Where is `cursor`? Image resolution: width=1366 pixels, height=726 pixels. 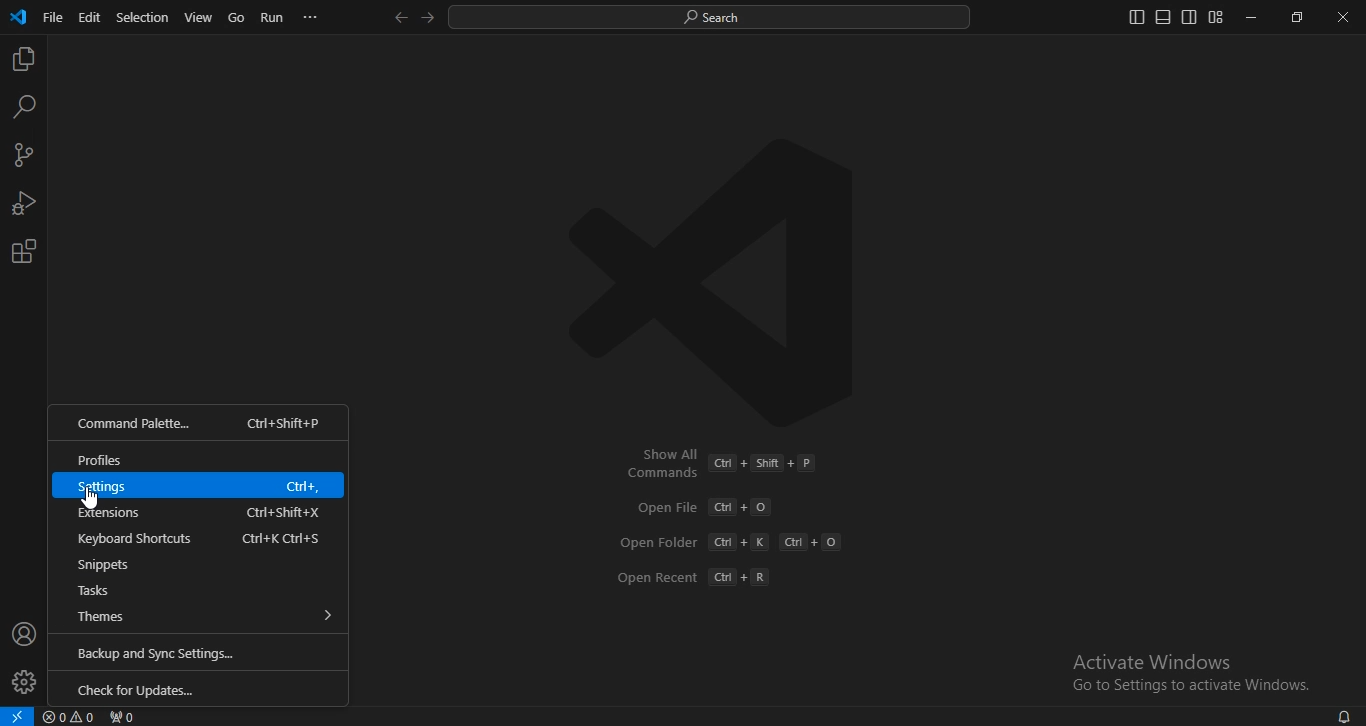 cursor is located at coordinates (94, 502).